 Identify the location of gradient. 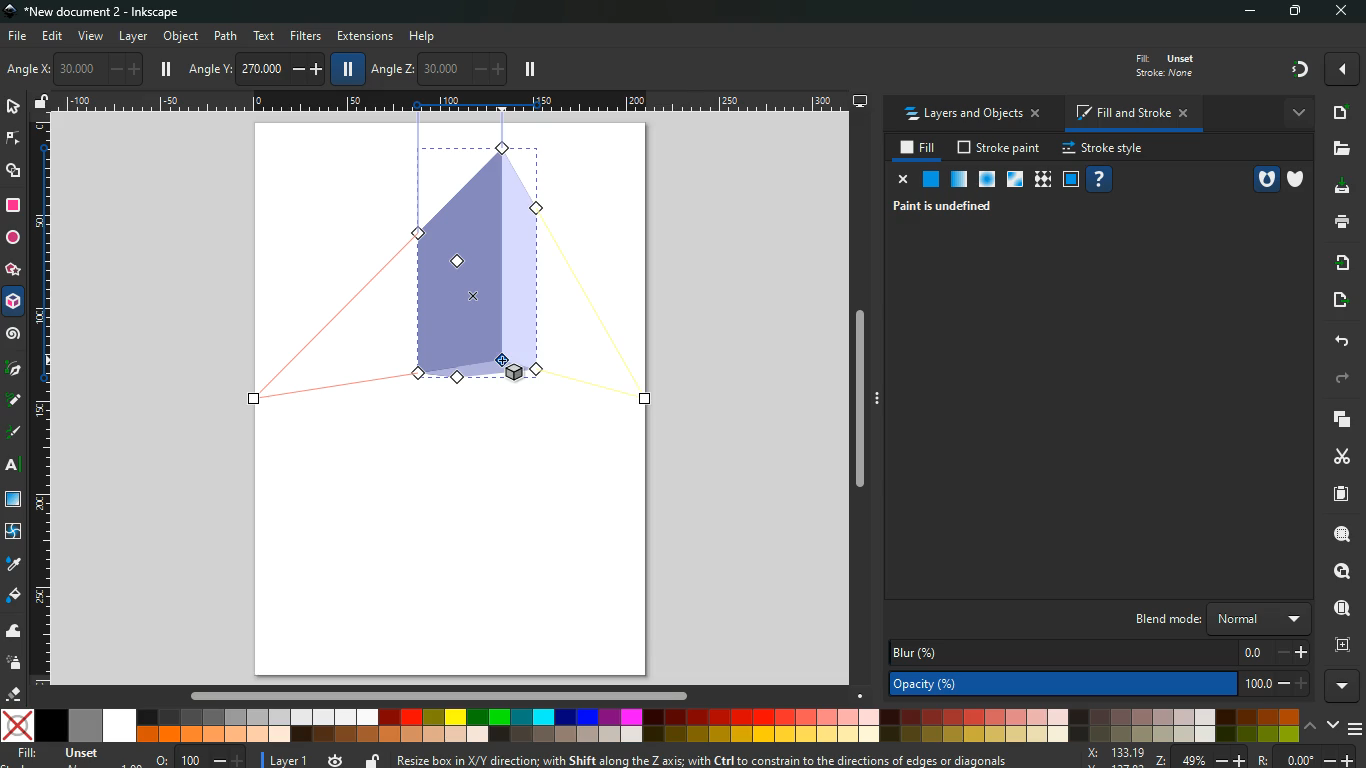
(1301, 68).